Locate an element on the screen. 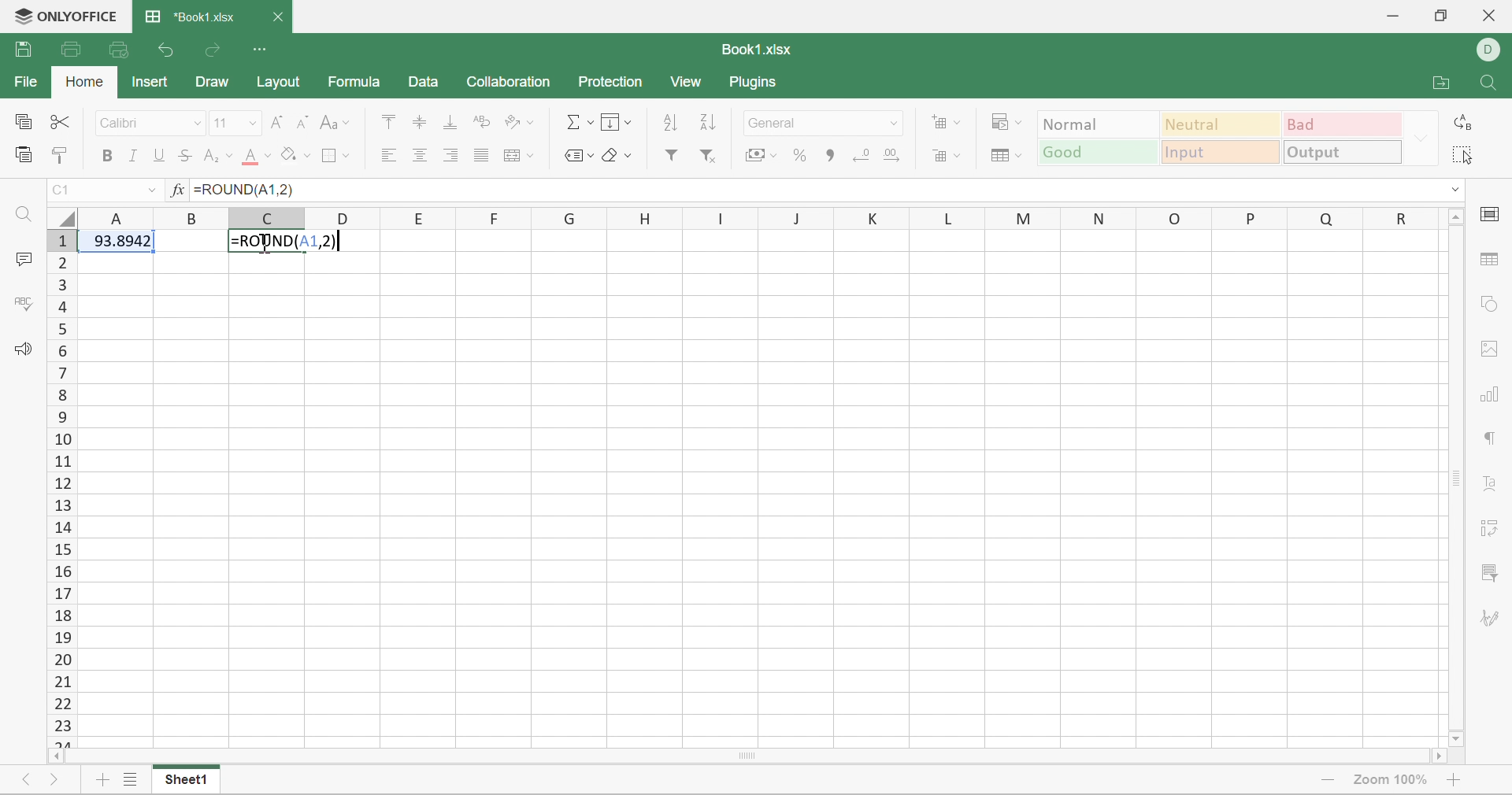  Find is located at coordinates (1483, 83).